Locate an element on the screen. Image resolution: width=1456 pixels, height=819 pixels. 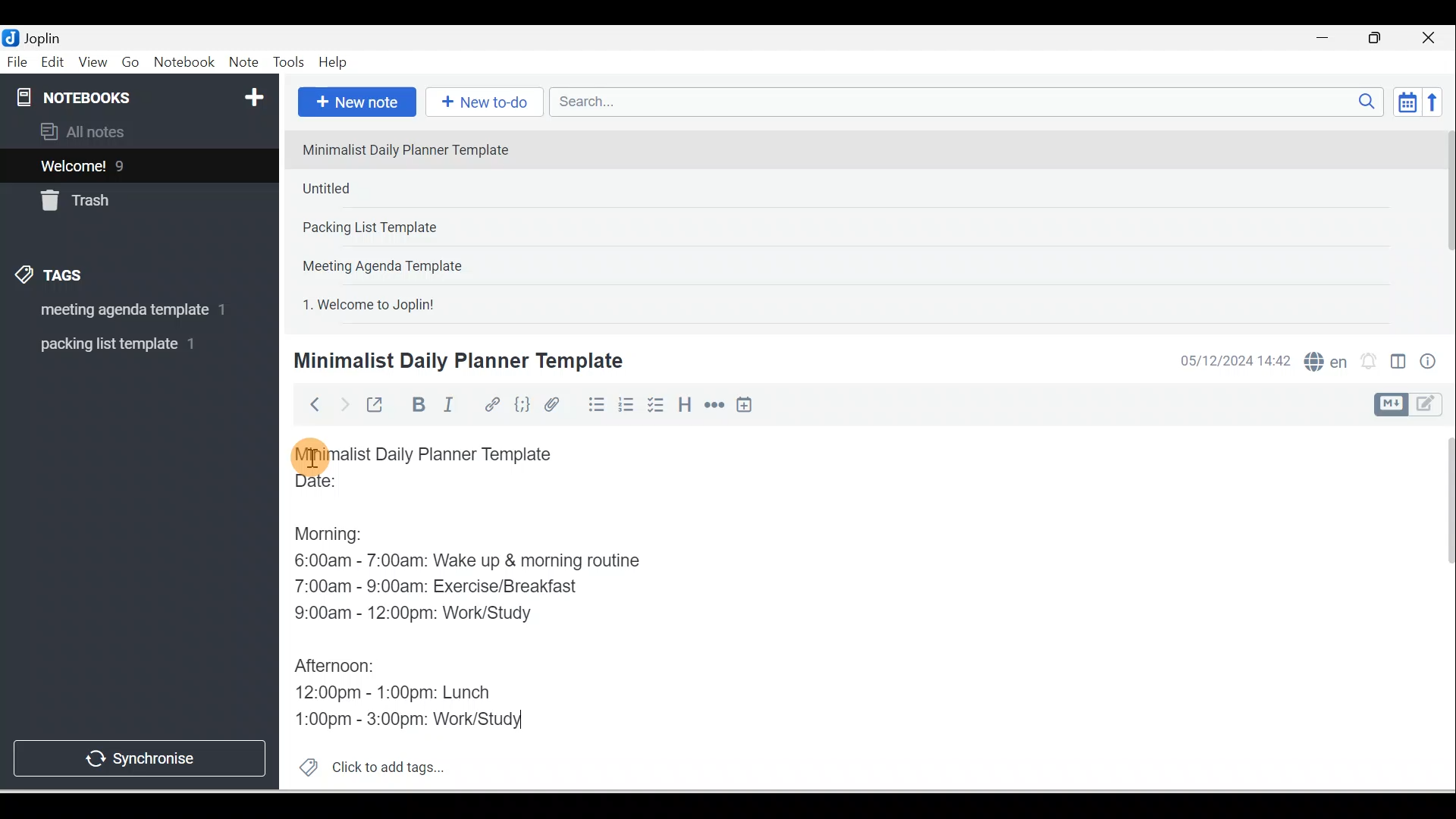
Tag 2 is located at coordinates (128, 344).